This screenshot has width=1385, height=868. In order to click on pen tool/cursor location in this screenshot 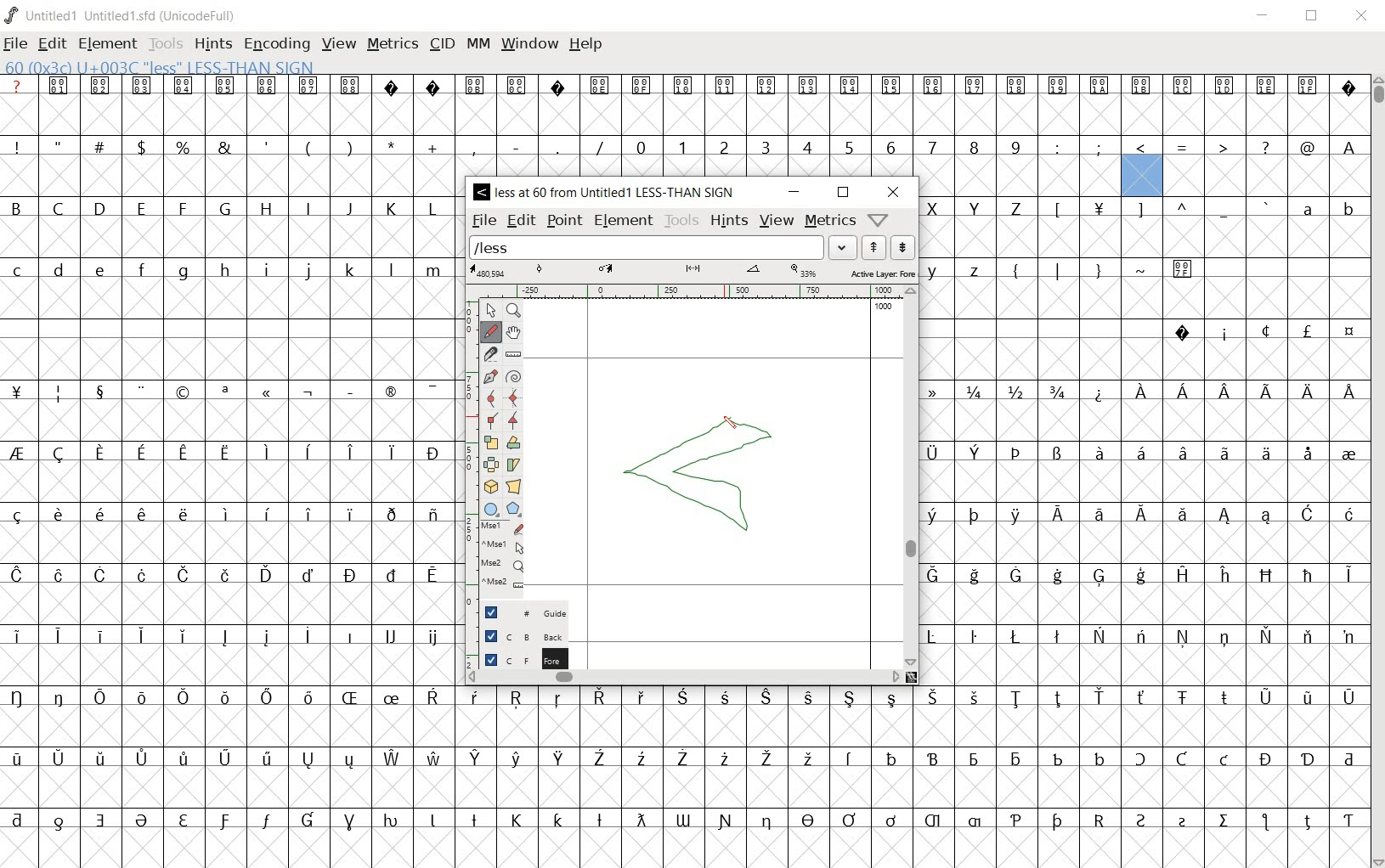, I will do `click(739, 426)`.